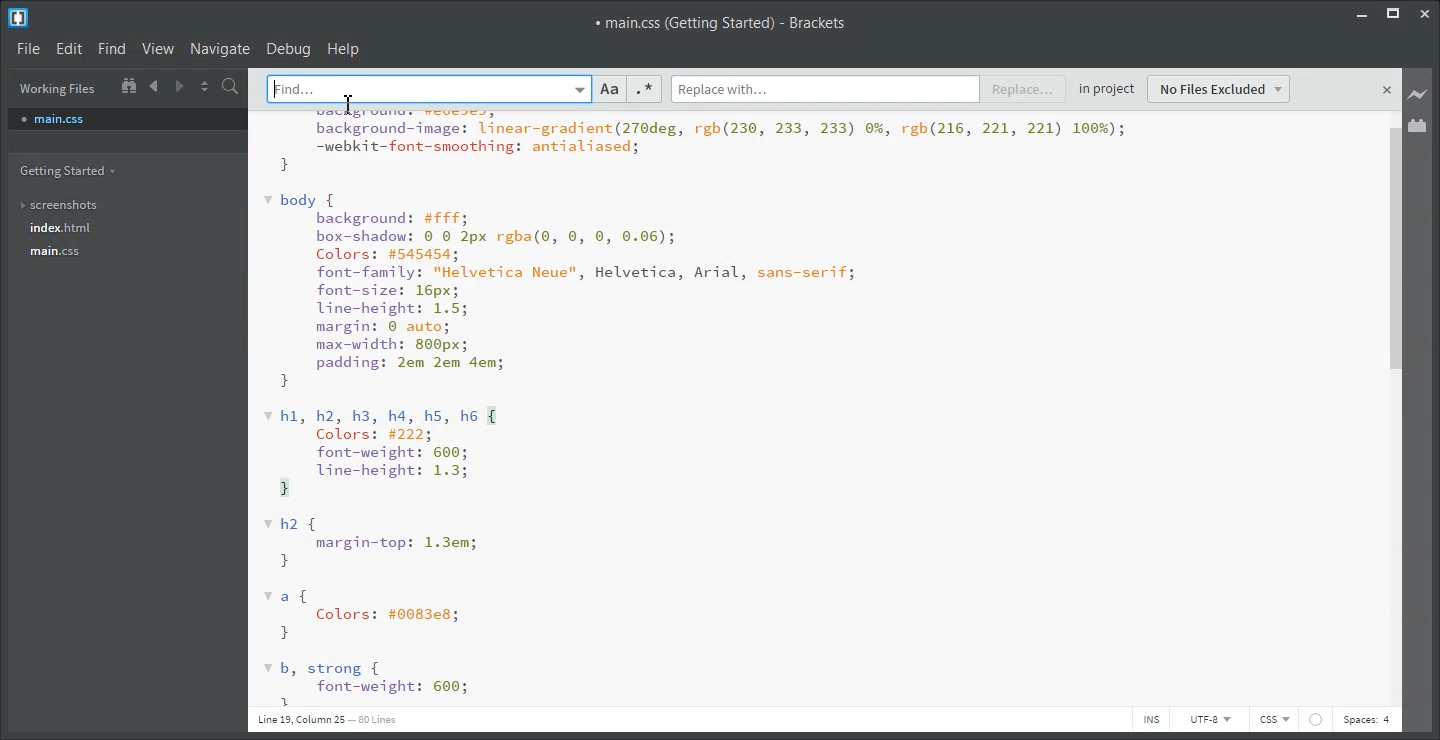  I want to click on close, so click(1387, 90).